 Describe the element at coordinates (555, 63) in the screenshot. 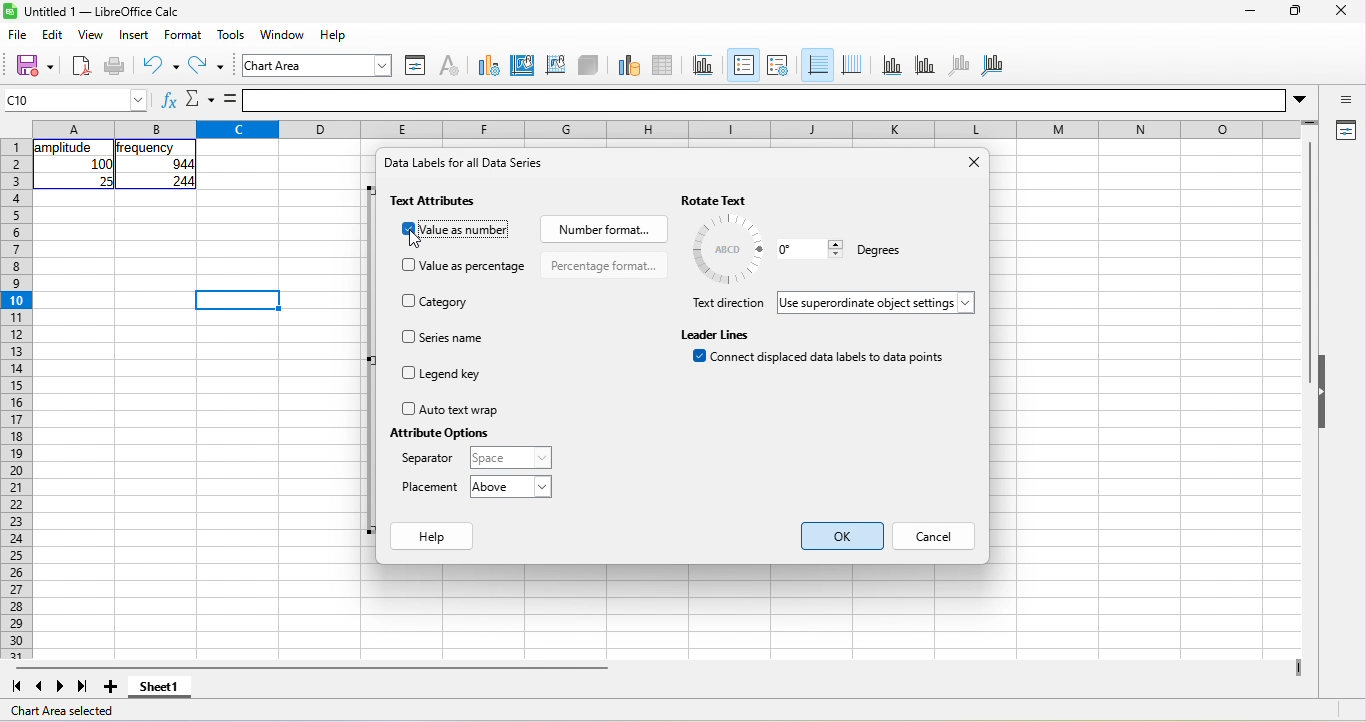

I see `chart wall` at that location.